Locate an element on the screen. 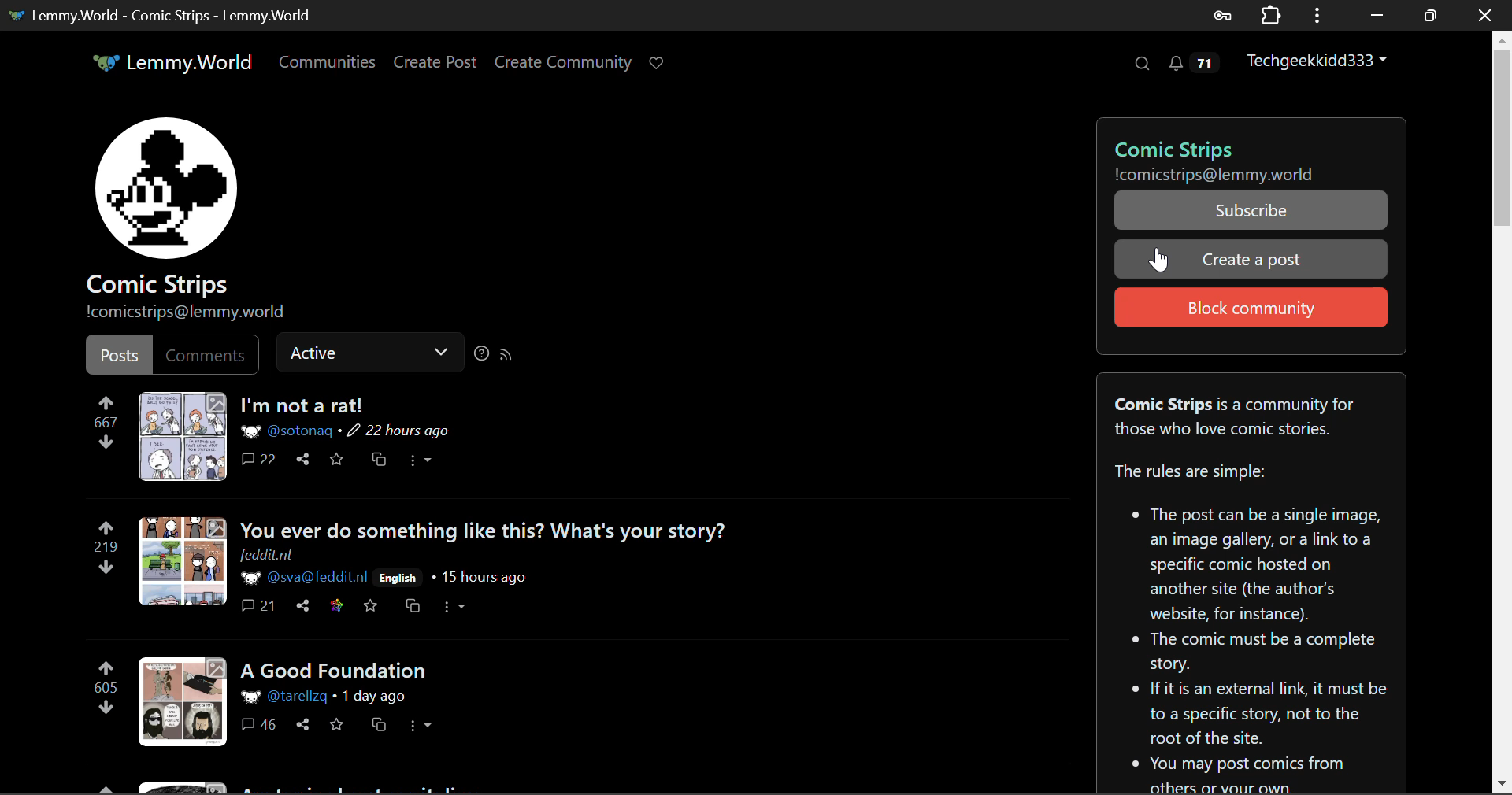 This screenshot has height=795, width=1512. Save on feddit.nl is located at coordinates (339, 605).